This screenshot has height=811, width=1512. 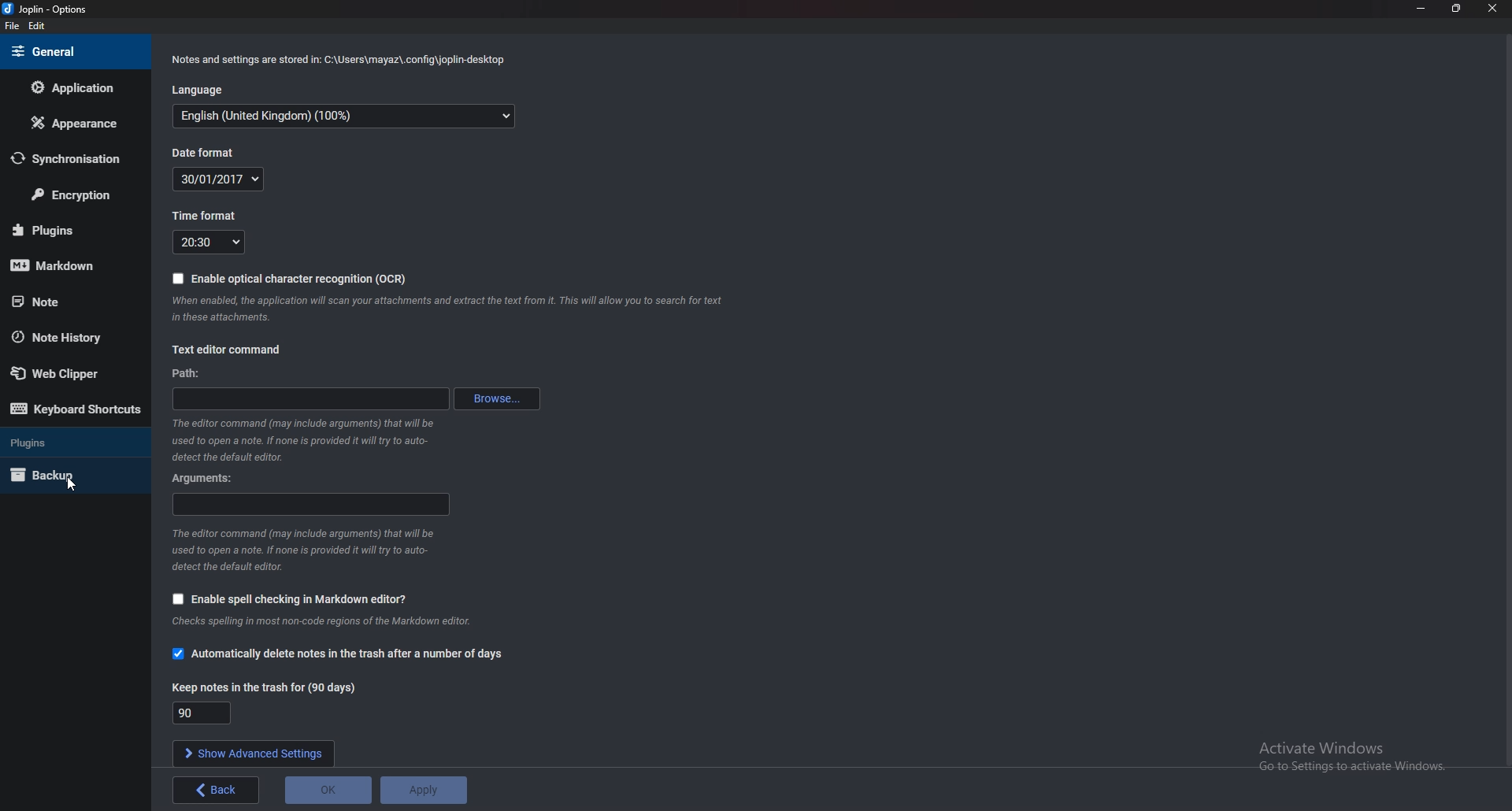 What do you see at coordinates (217, 179) in the screenshot?
I see `Date format` at bounding box center [217, 179].